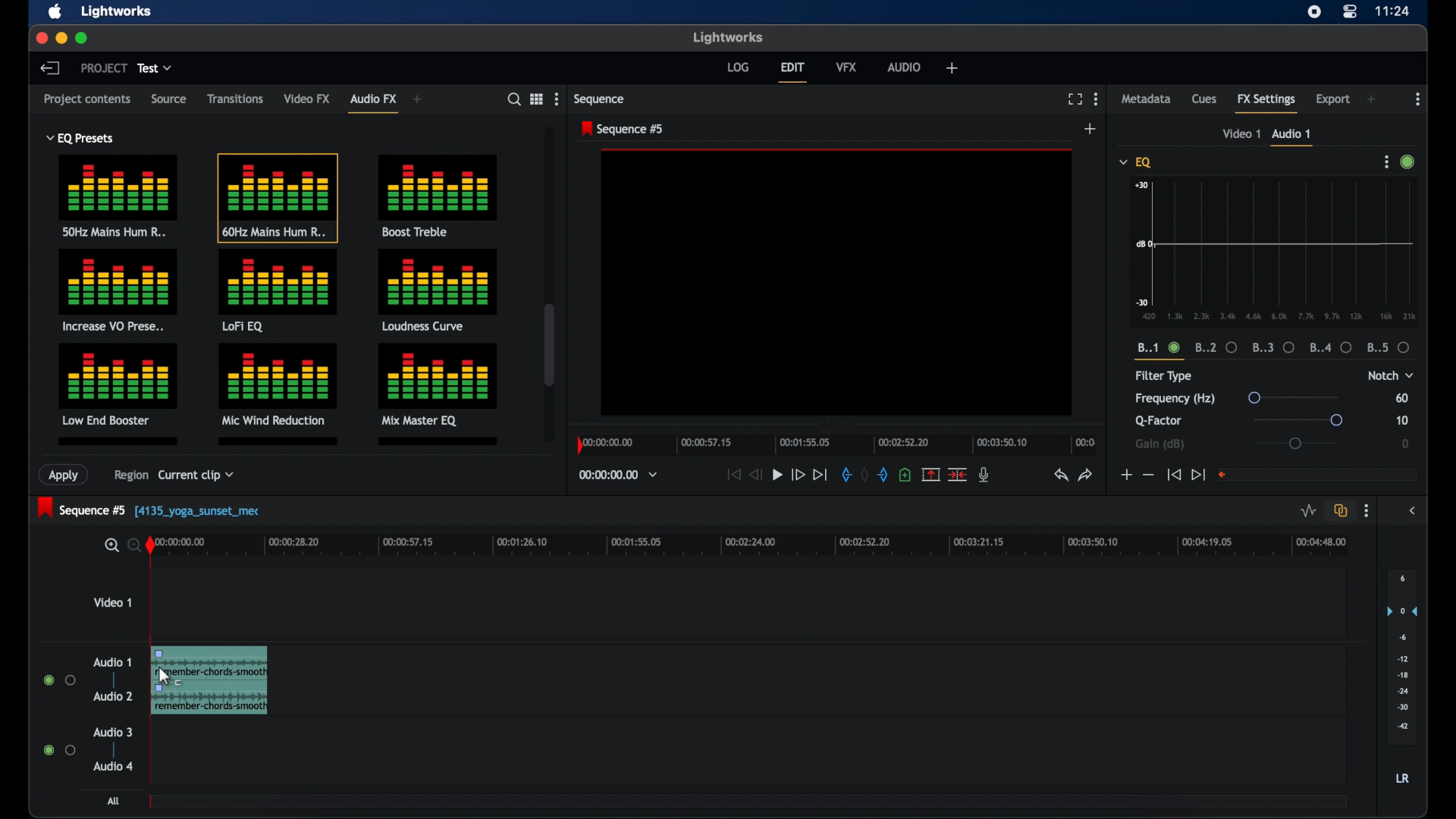 The height and width of the screenshot is (819, 1456). Describe the element at coordinates (112, 733) in the screenshot. I see `audio 3` at that location.